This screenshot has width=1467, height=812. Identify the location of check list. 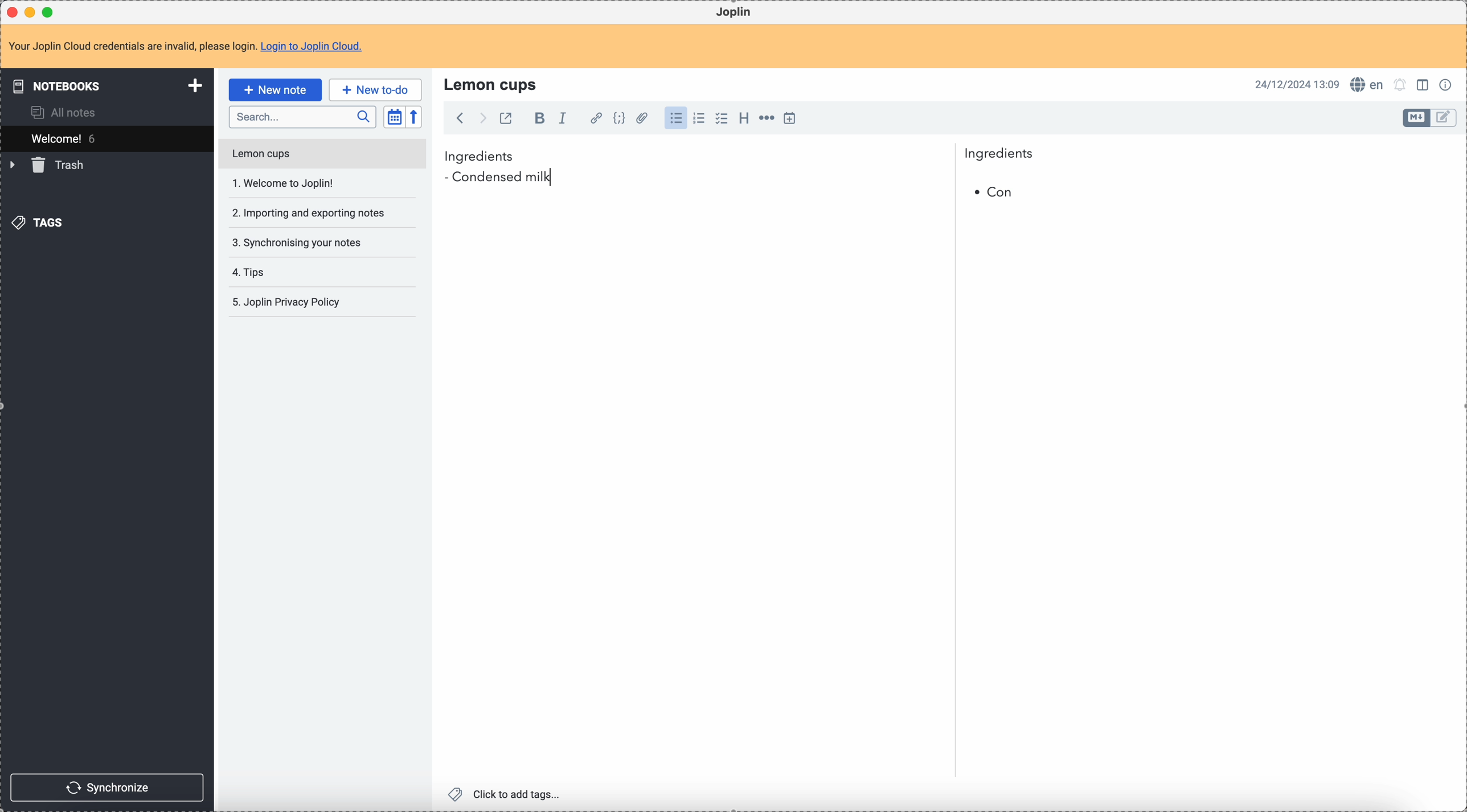
(721, 118).